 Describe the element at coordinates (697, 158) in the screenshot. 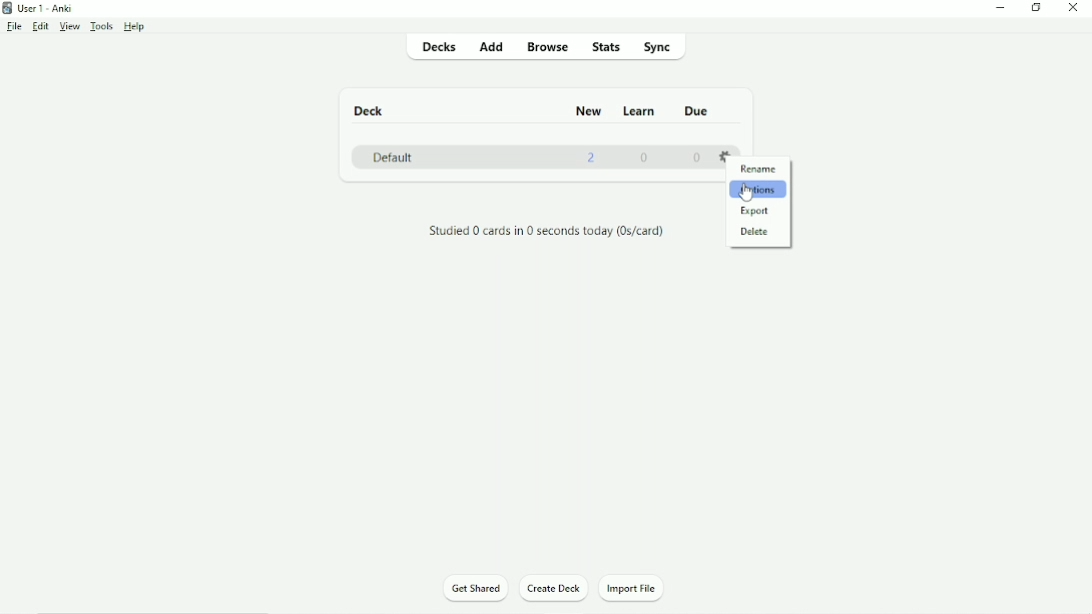

I see `0` at that location.